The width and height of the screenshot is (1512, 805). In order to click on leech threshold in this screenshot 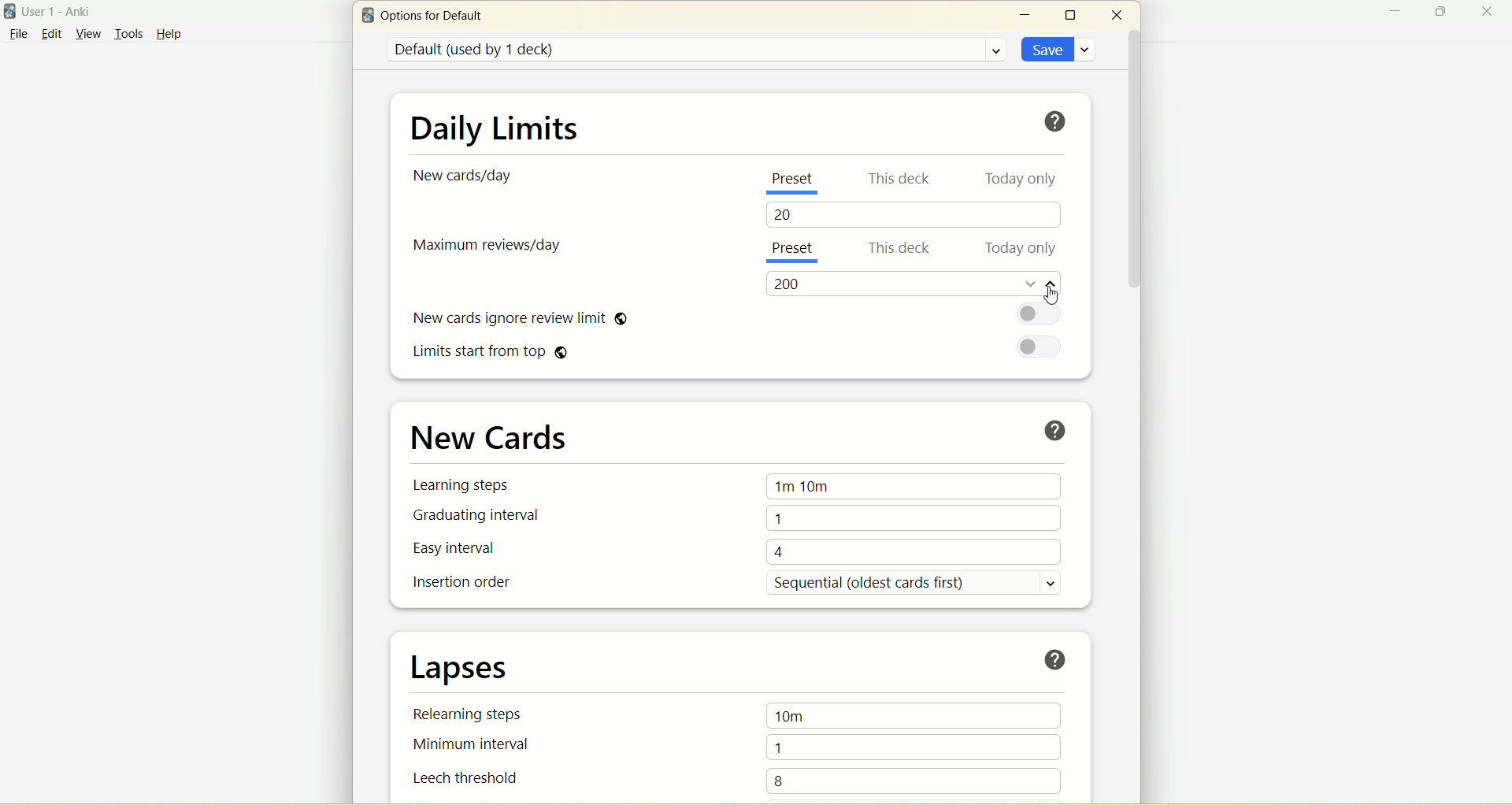, I will do `click(471, 776)`.